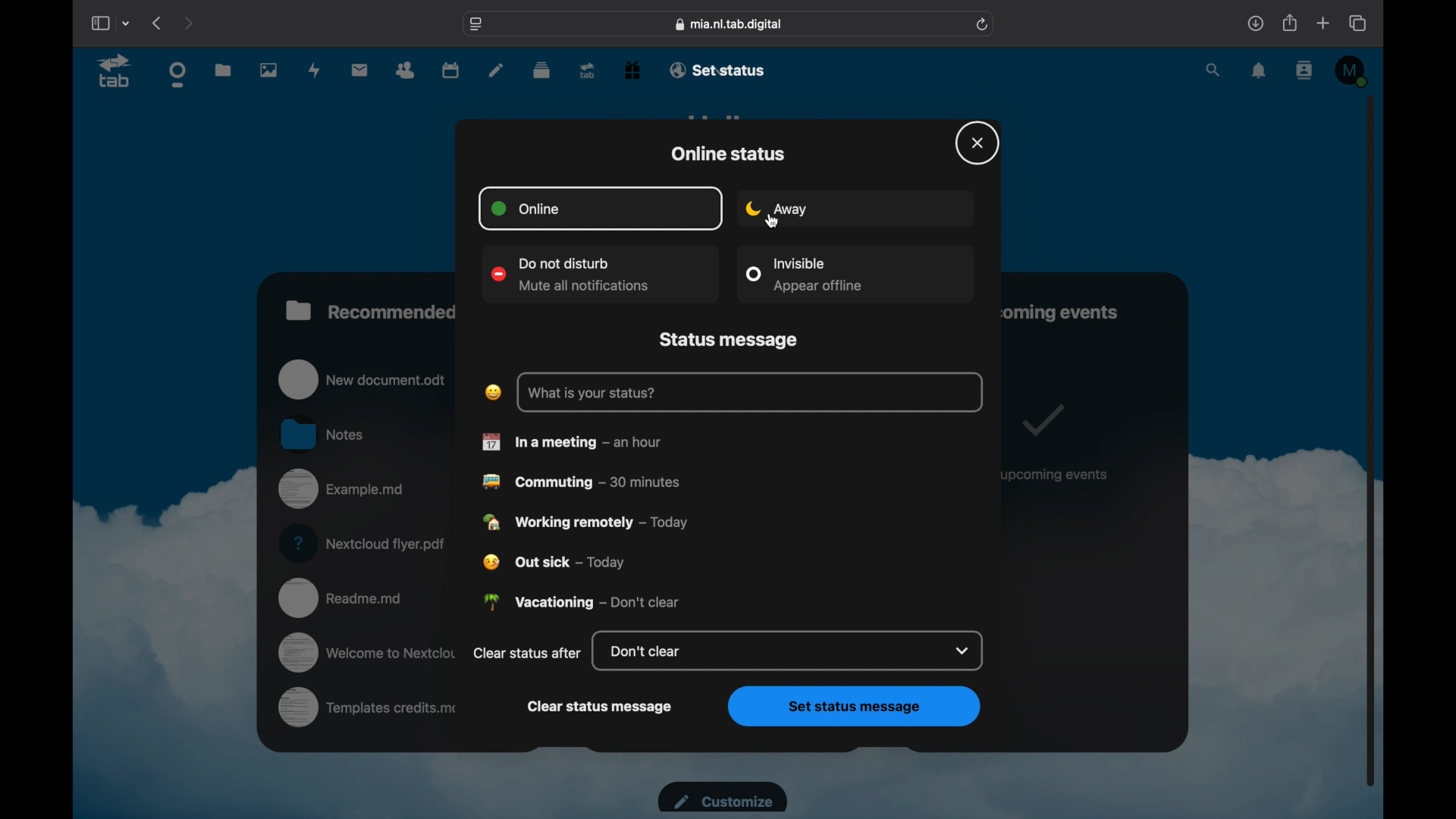 Image resolution: width=1456 pixels, height=819 pixels. I want to click on previous, so click(156, 22).